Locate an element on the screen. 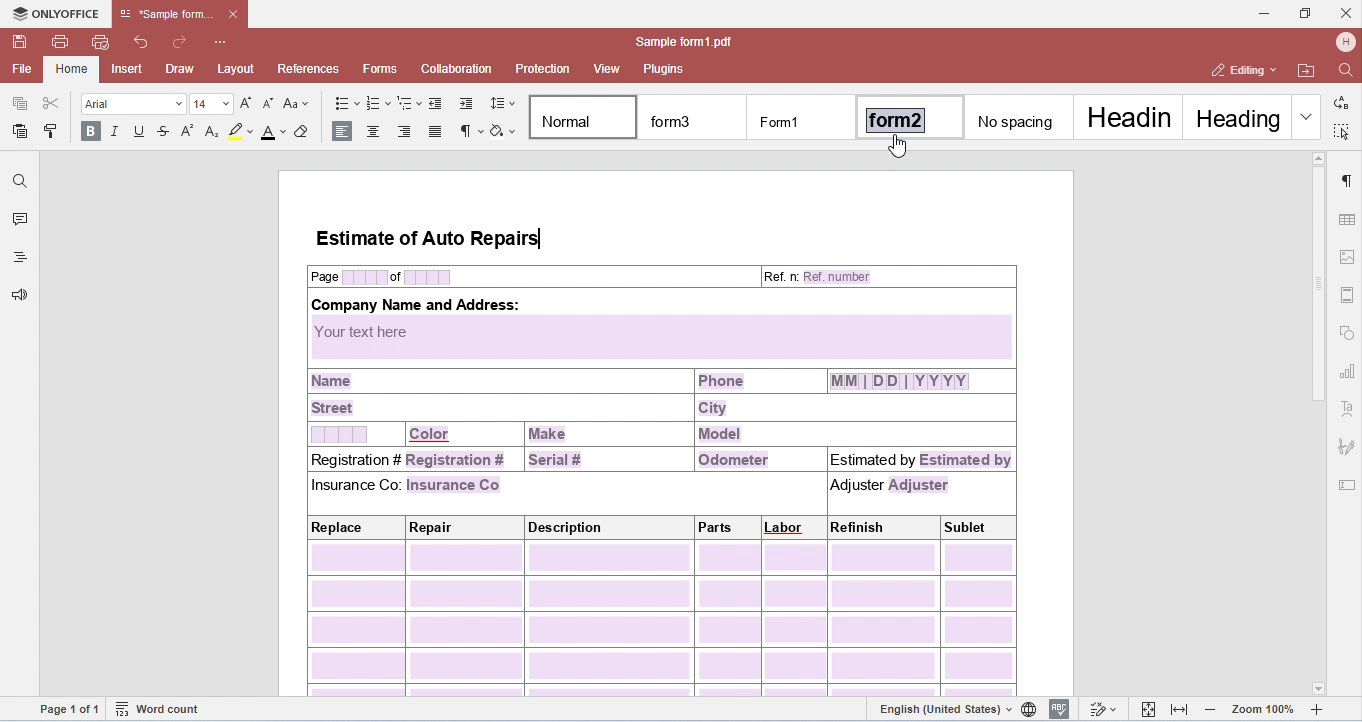  change ease is located at coordinates (298, 103).